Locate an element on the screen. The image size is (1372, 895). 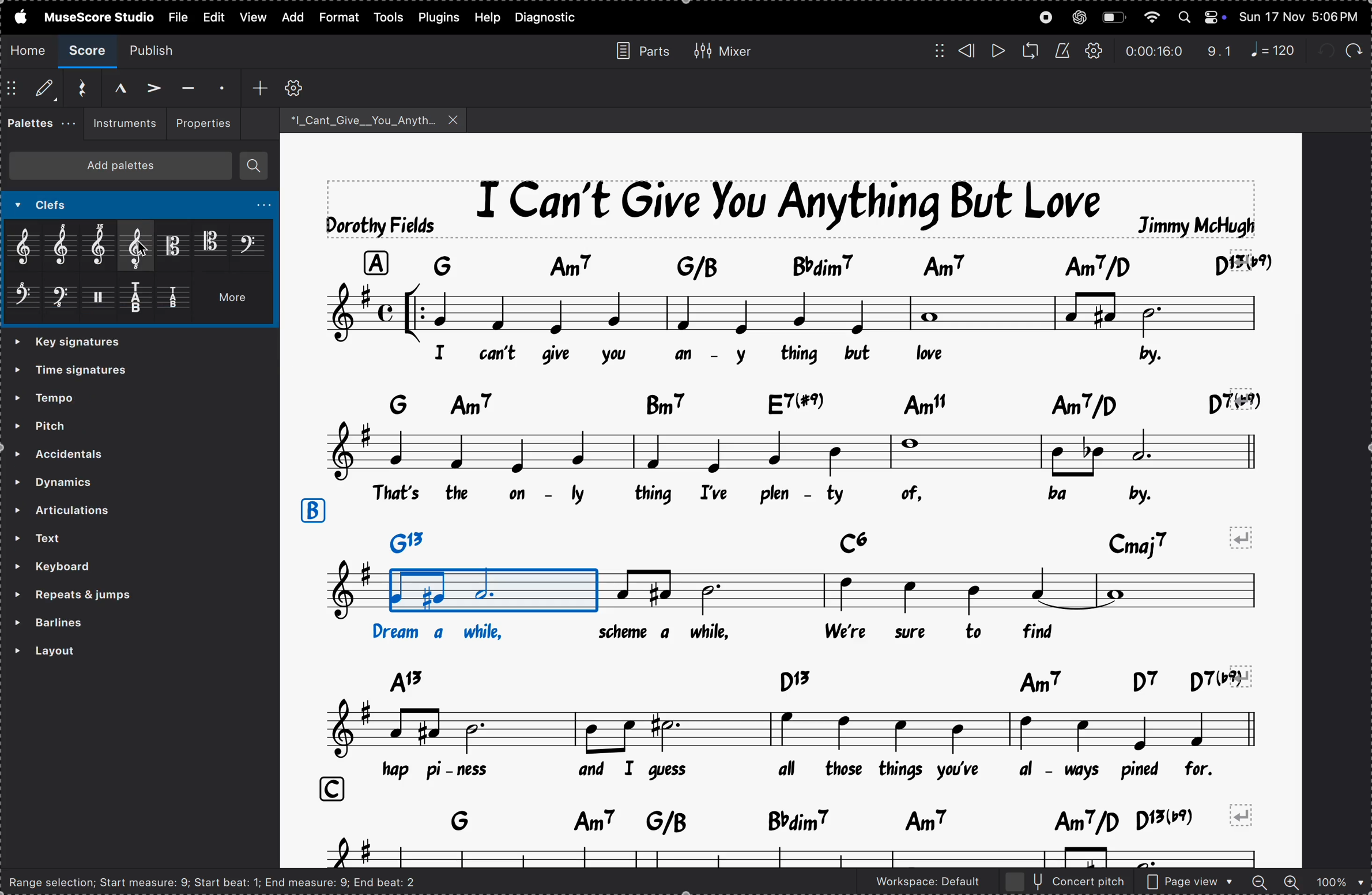
publish is located at coordinates (159, 50).